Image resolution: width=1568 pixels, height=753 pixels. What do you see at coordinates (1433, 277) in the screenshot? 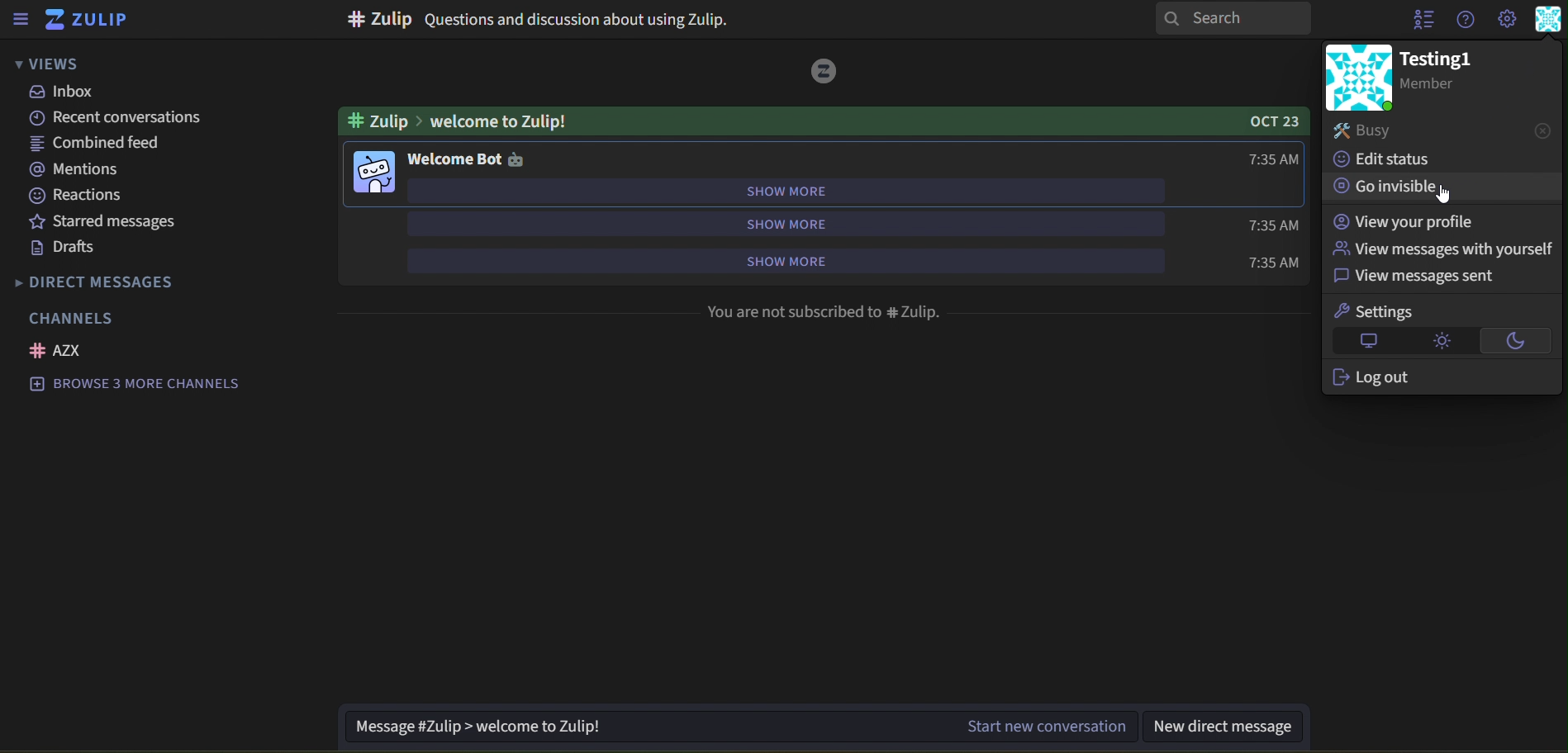
I see `view messages sent` at bounding box center [1433, 277].